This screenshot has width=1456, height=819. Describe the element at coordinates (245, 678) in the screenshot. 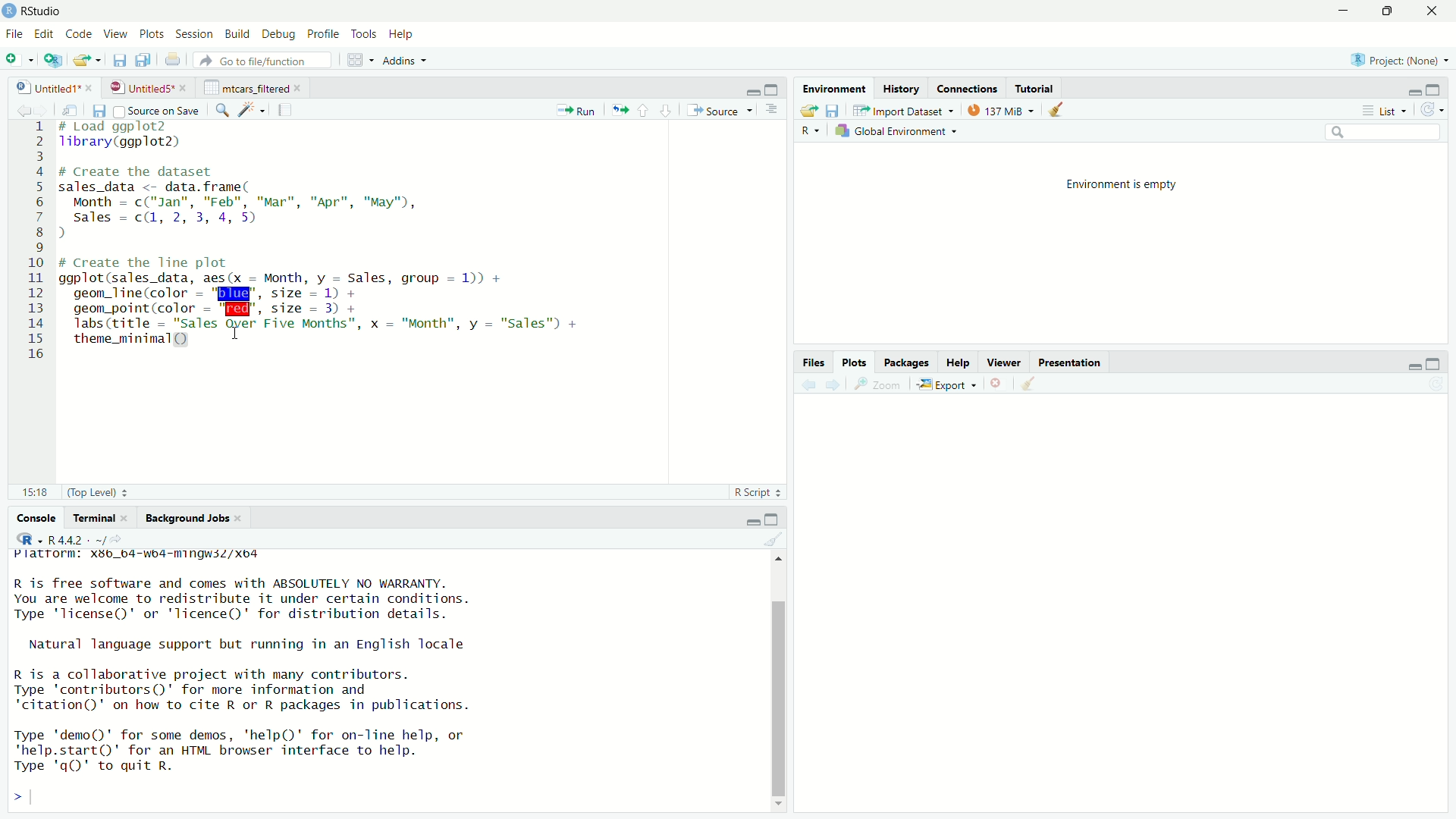

I see `R is free software and comes with ABSOLUTELY NO WARRANTY.

You are welcome to redistribute it under certain conditions.

Type 'license()' or 'licence()' for distribution details.
Natural language support but running in an English locale

R is a collaborative project with many contributors.

Type 'contributors()' for more information and

‘citation()' on how to cite R or R packages in publications.

Type 'demo()' for some demos, 'help()' for on-line help, or

'help.start()' for an HTML browser interface to help.

Type 'gQ' to quit R.` at that location.